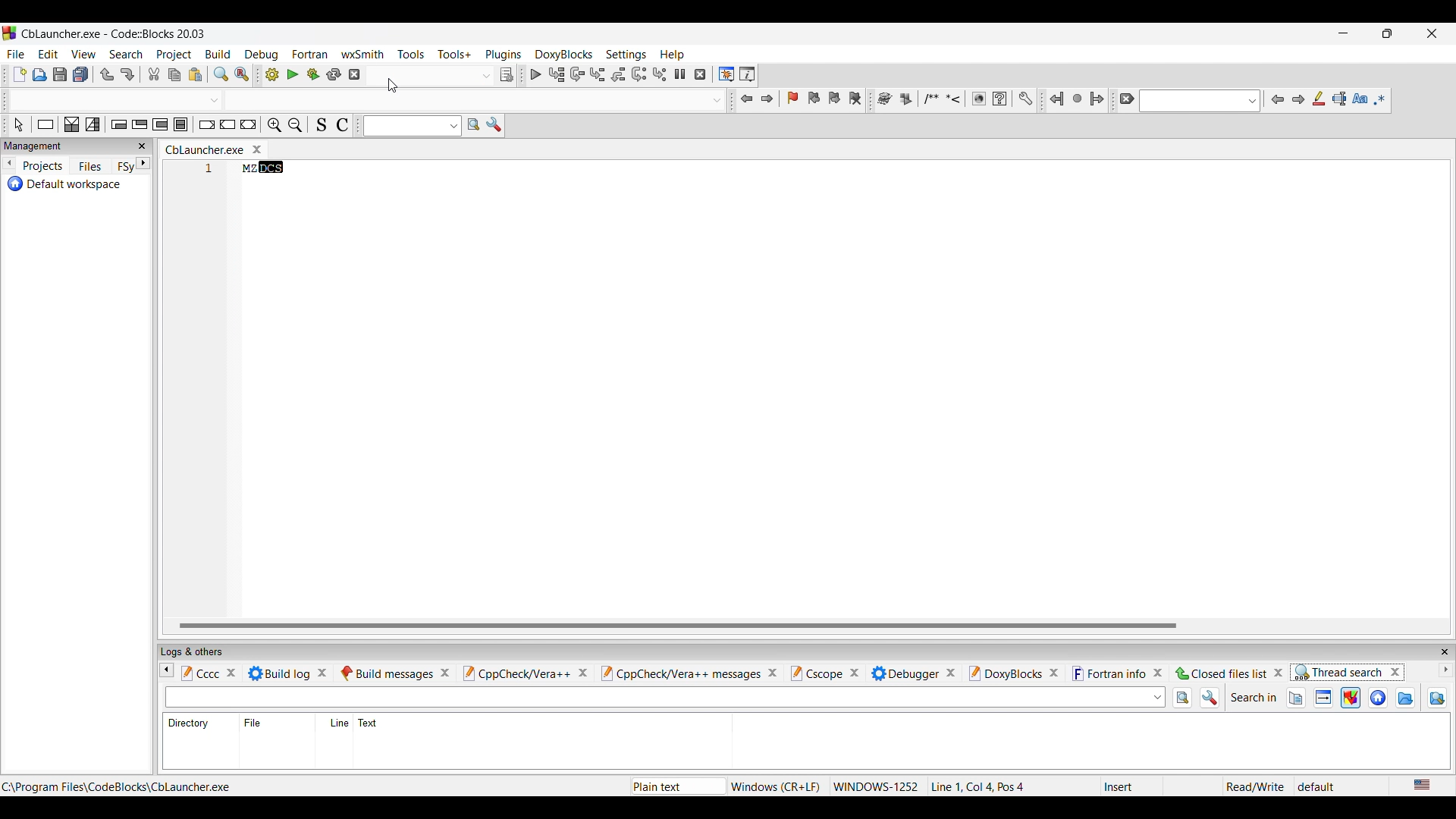 This screenshot has width=1456, height=819. Describe the element at coordinates (174, 75) in the screenshot. I see `Copy` at that location.